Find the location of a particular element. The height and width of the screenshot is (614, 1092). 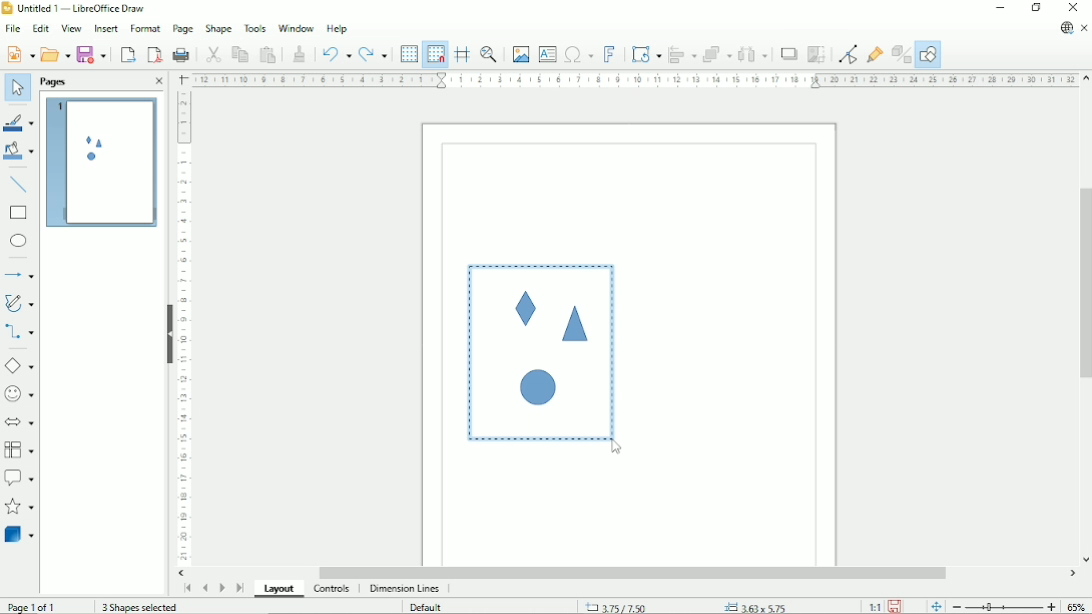

3 shapes selected is located at coordinates (138, 607).